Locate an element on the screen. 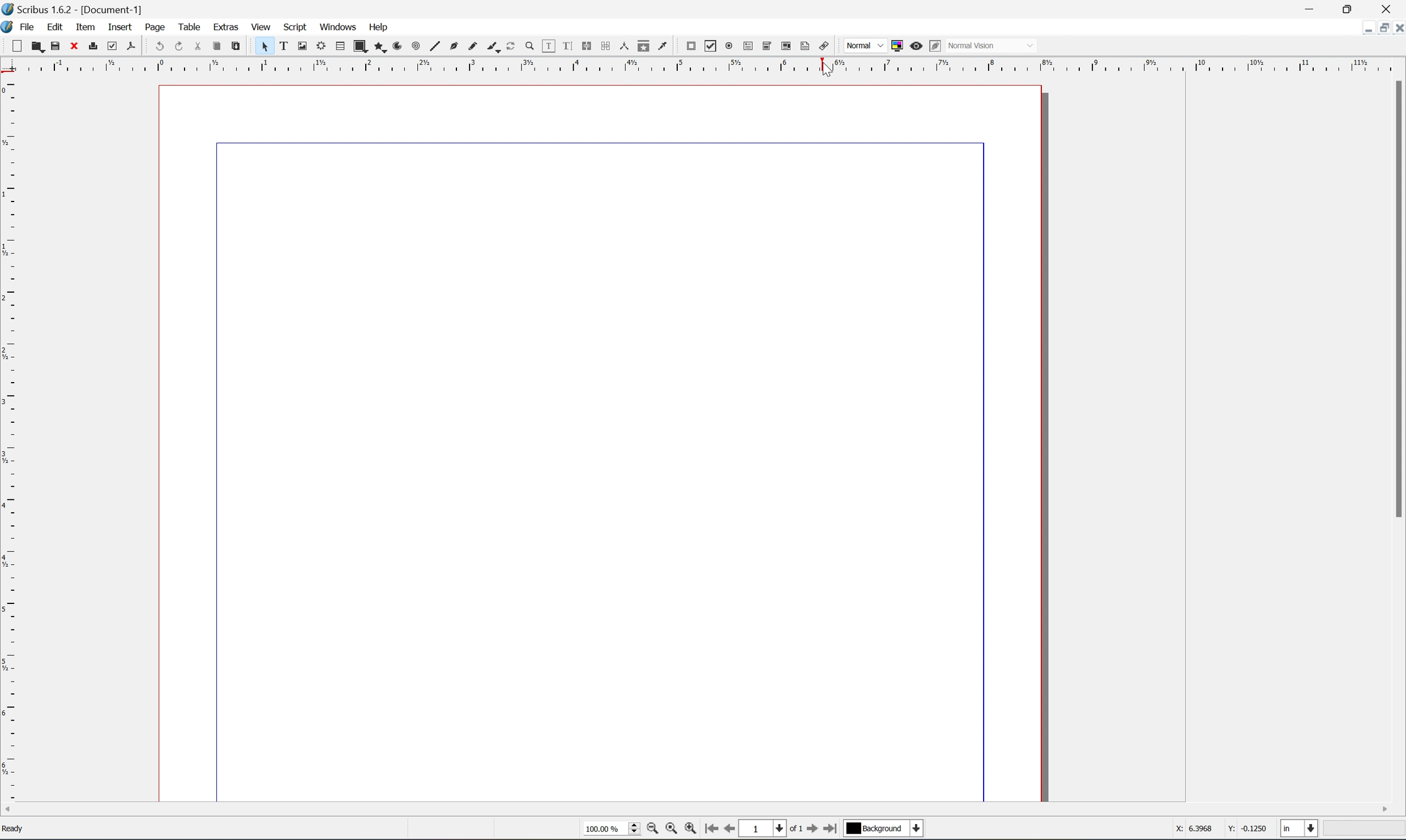 The image size is (1406, 840). ruler is located at coordinates (706, 63).